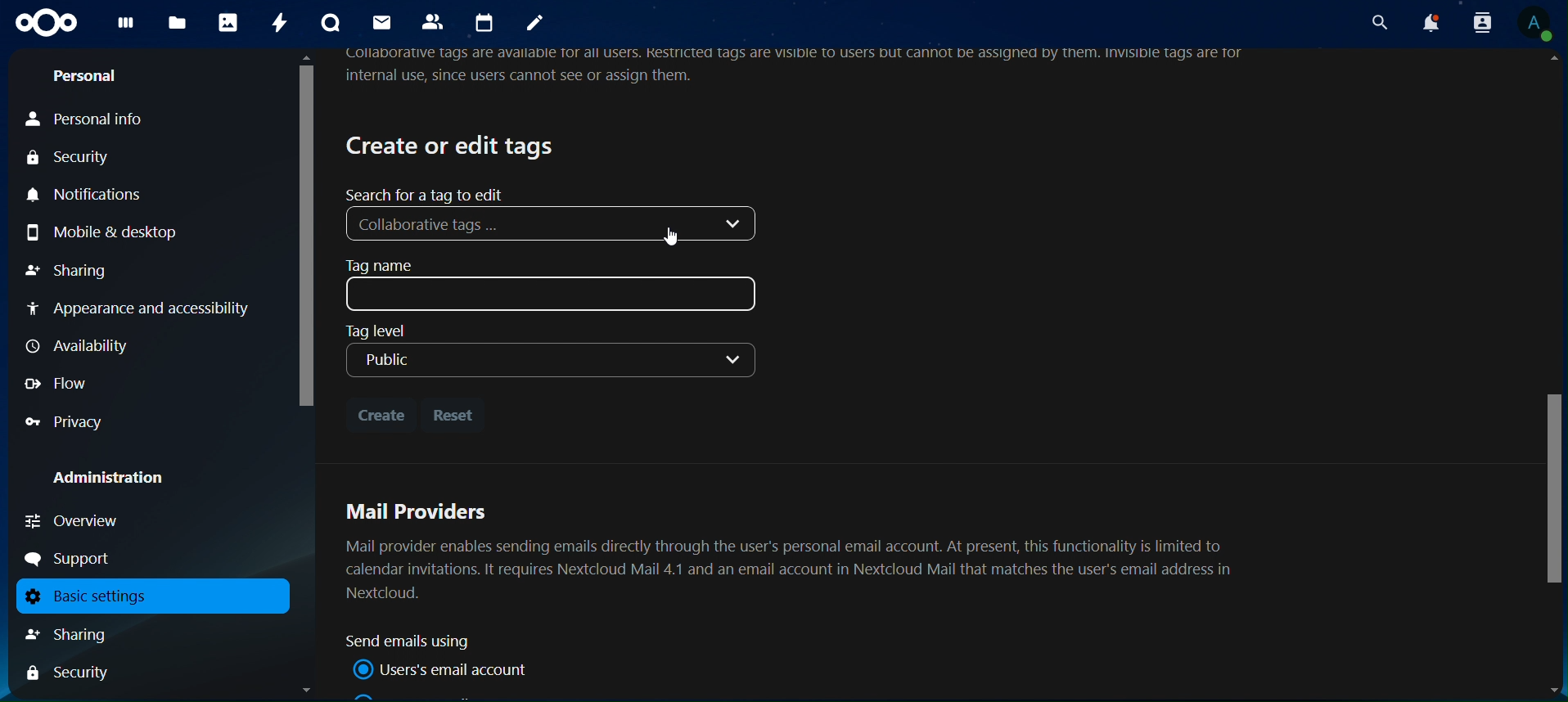  What do you see at coordinates (1551, 376) in the screenshot?
I see `Scrollbar` at bounding box center [1551, 376].